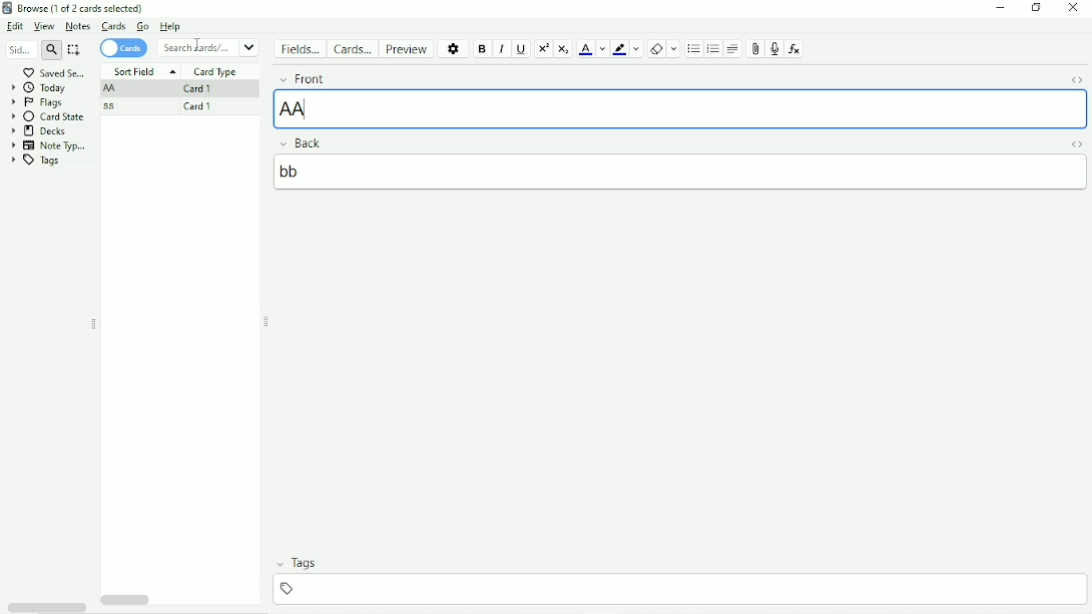 The image size is (1092, 614). I want to click on add tag, so click(684, 587).